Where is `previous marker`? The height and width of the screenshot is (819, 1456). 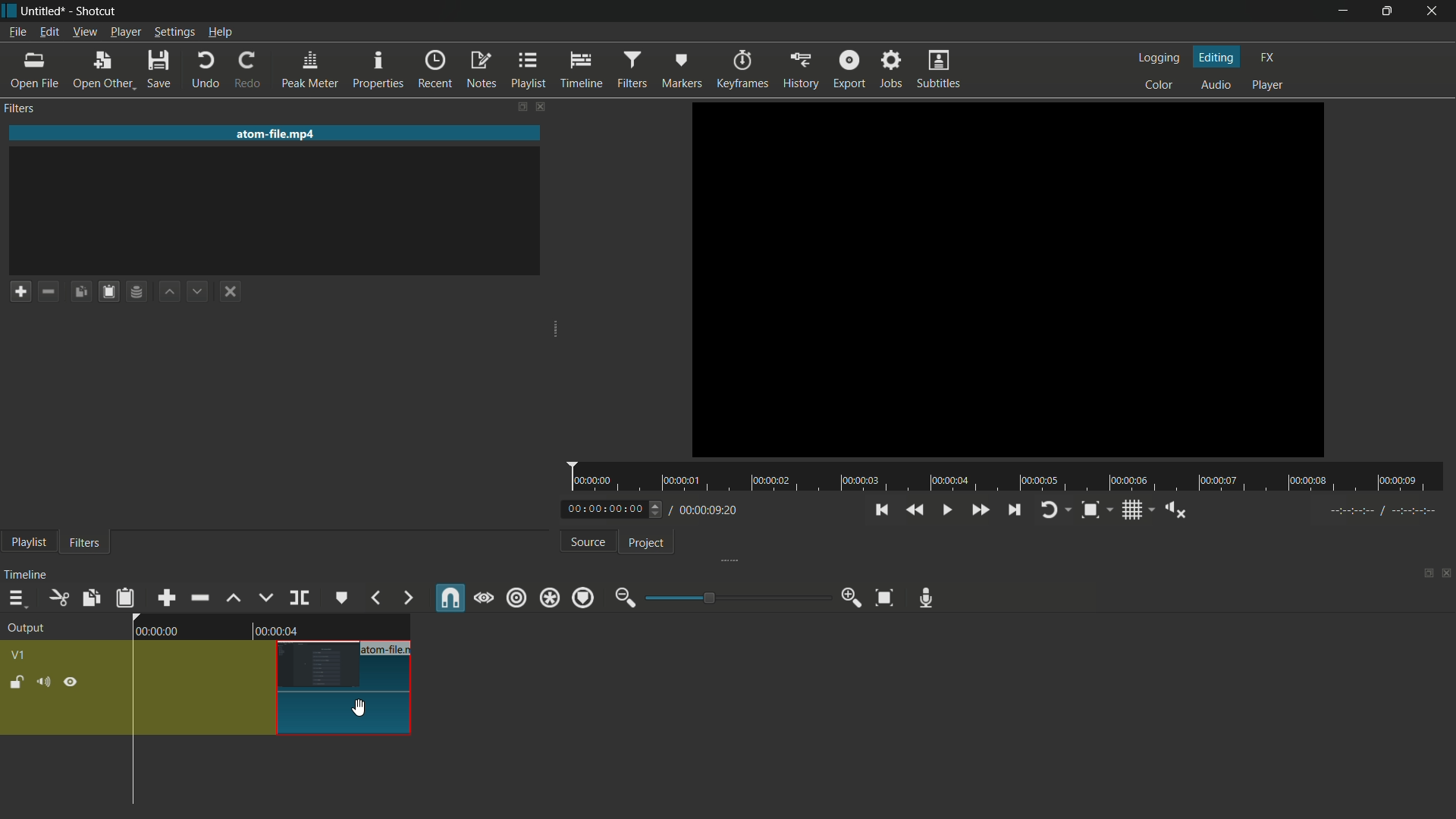
previous marker is located at coordinates (375, 598).